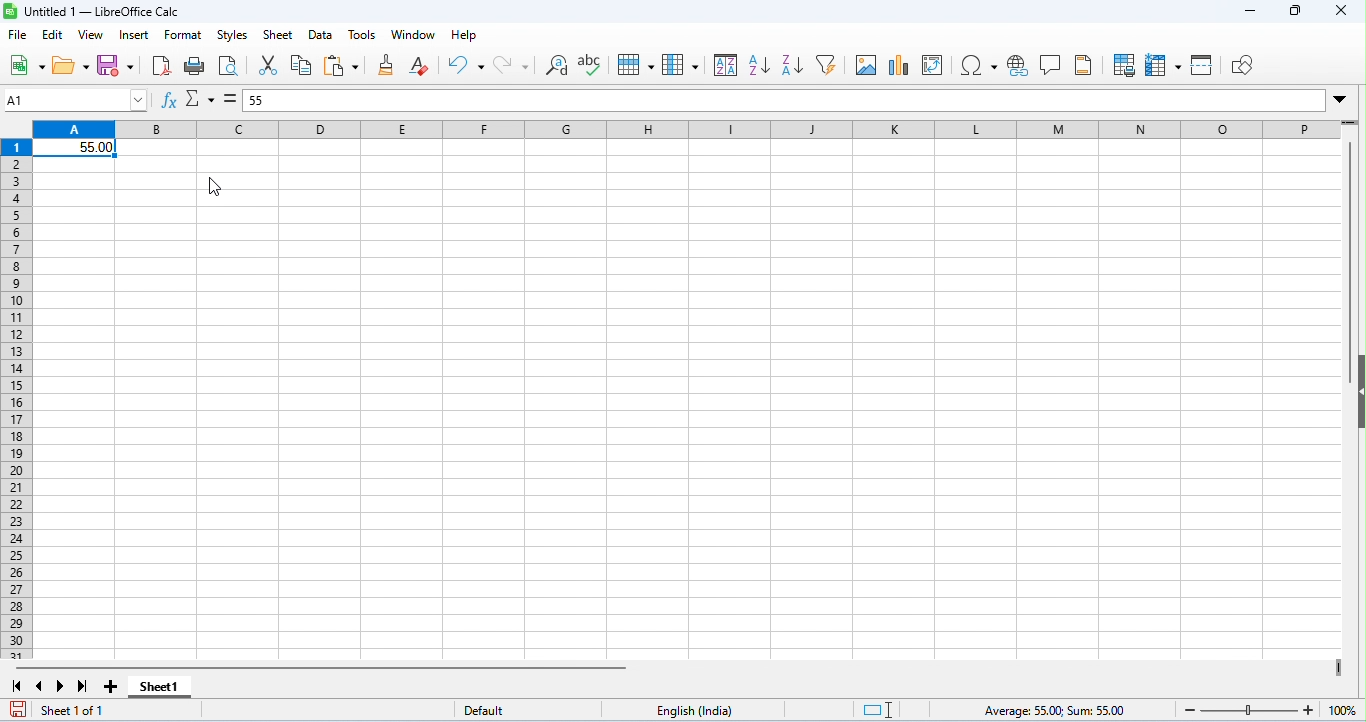 This screenshot has height=722, width=1366. Describe the element at coordinates (257, 101) in the screenshot. I see `55` at that location.